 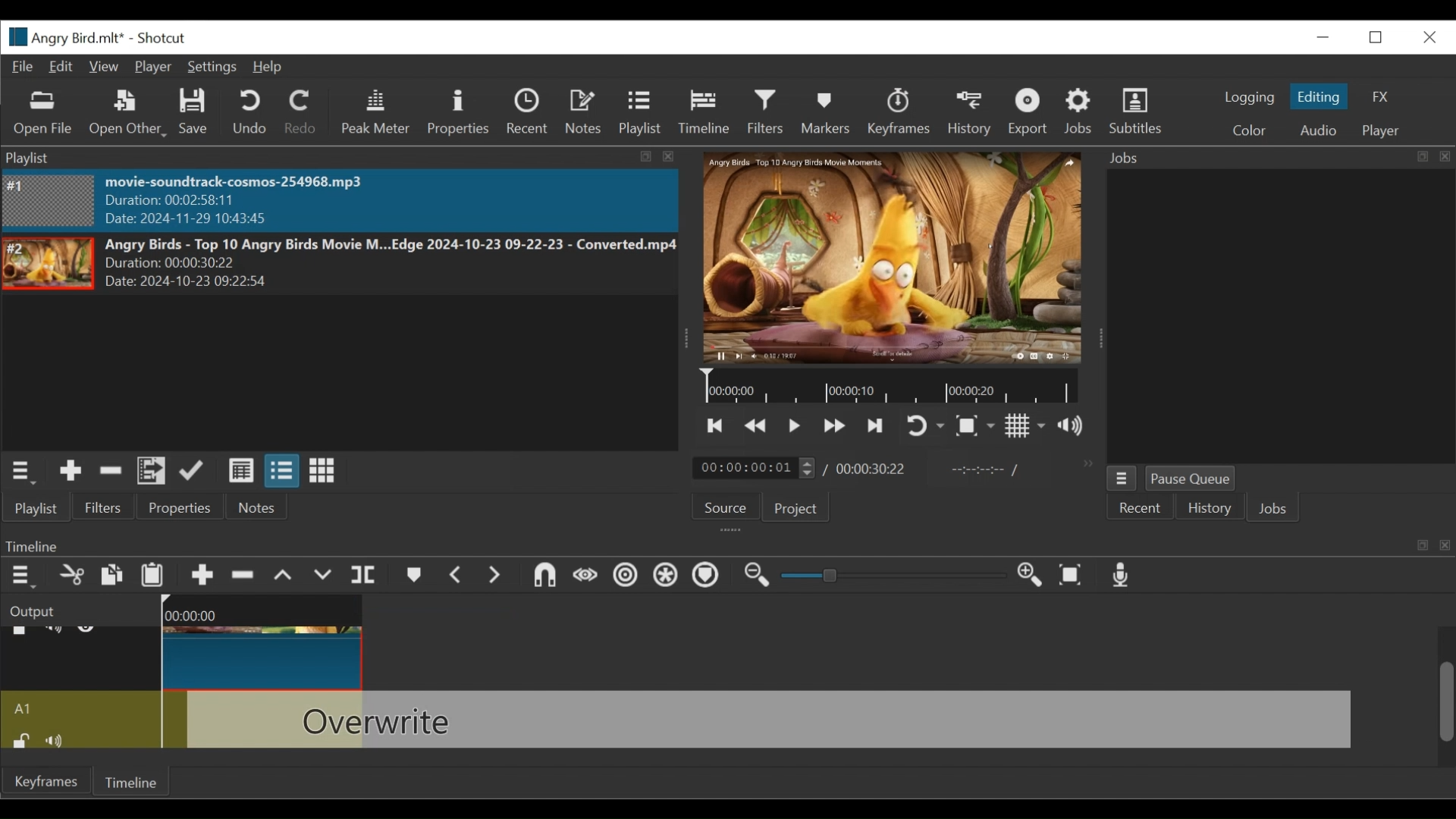 I want to click on Exort, so click(x=1030, y=113).